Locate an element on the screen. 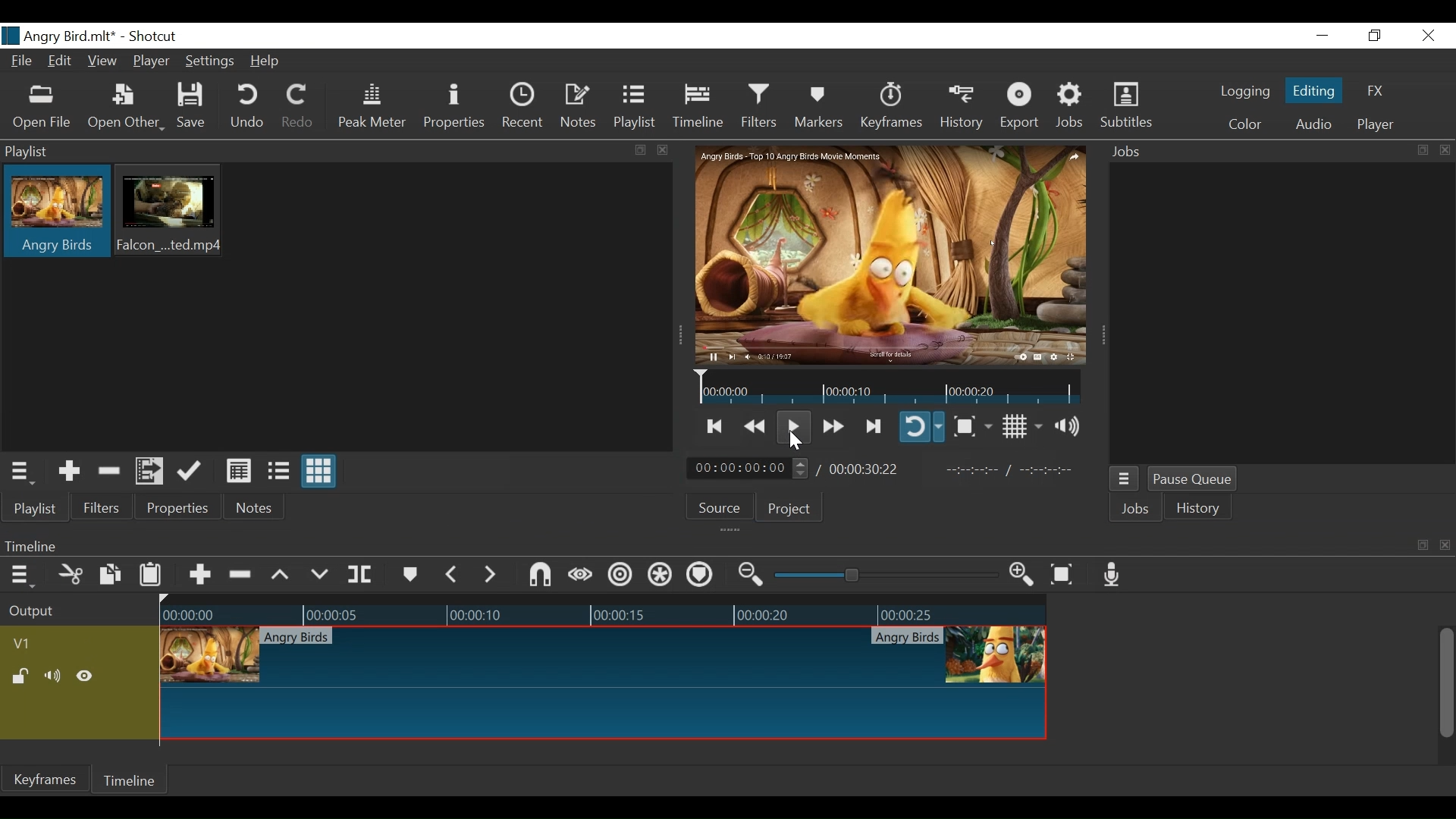 Image resolution: width=1456 pixels, height=819 pixels. logging is located at coordinates (1245, 93).